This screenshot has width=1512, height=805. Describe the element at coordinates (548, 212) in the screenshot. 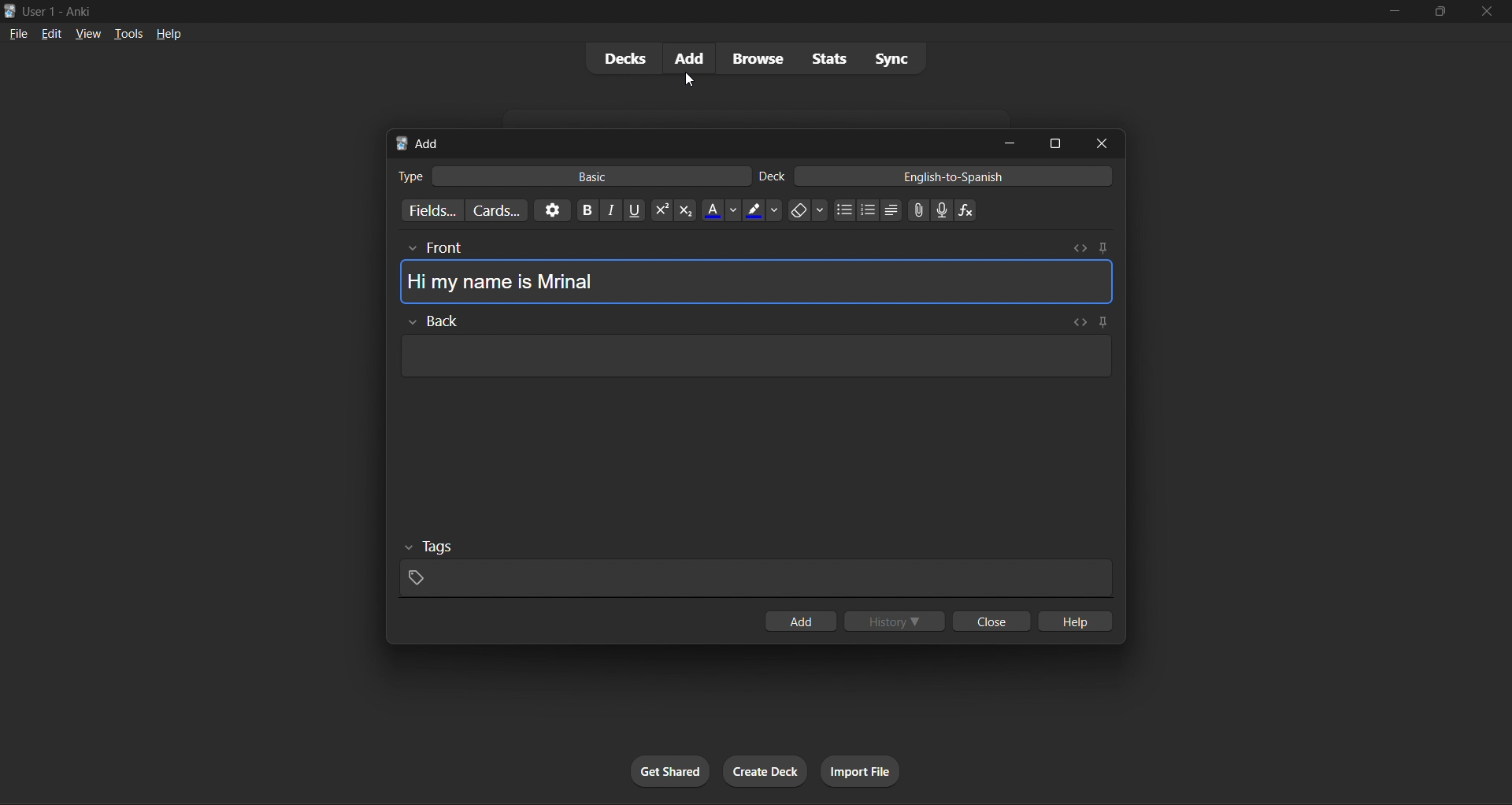

I see `options` at that location.